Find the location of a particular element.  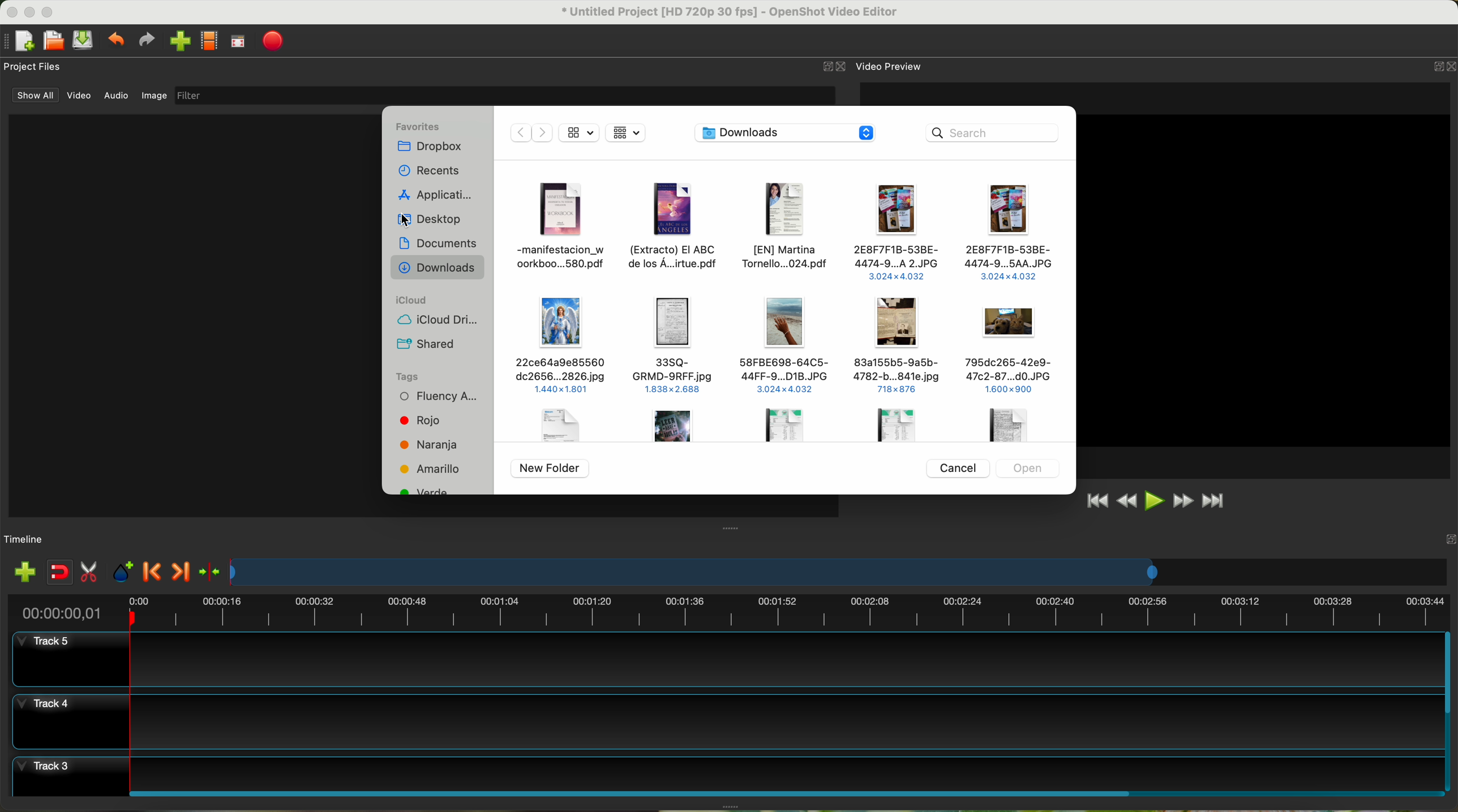

play is located at coordinates (1153, 500).